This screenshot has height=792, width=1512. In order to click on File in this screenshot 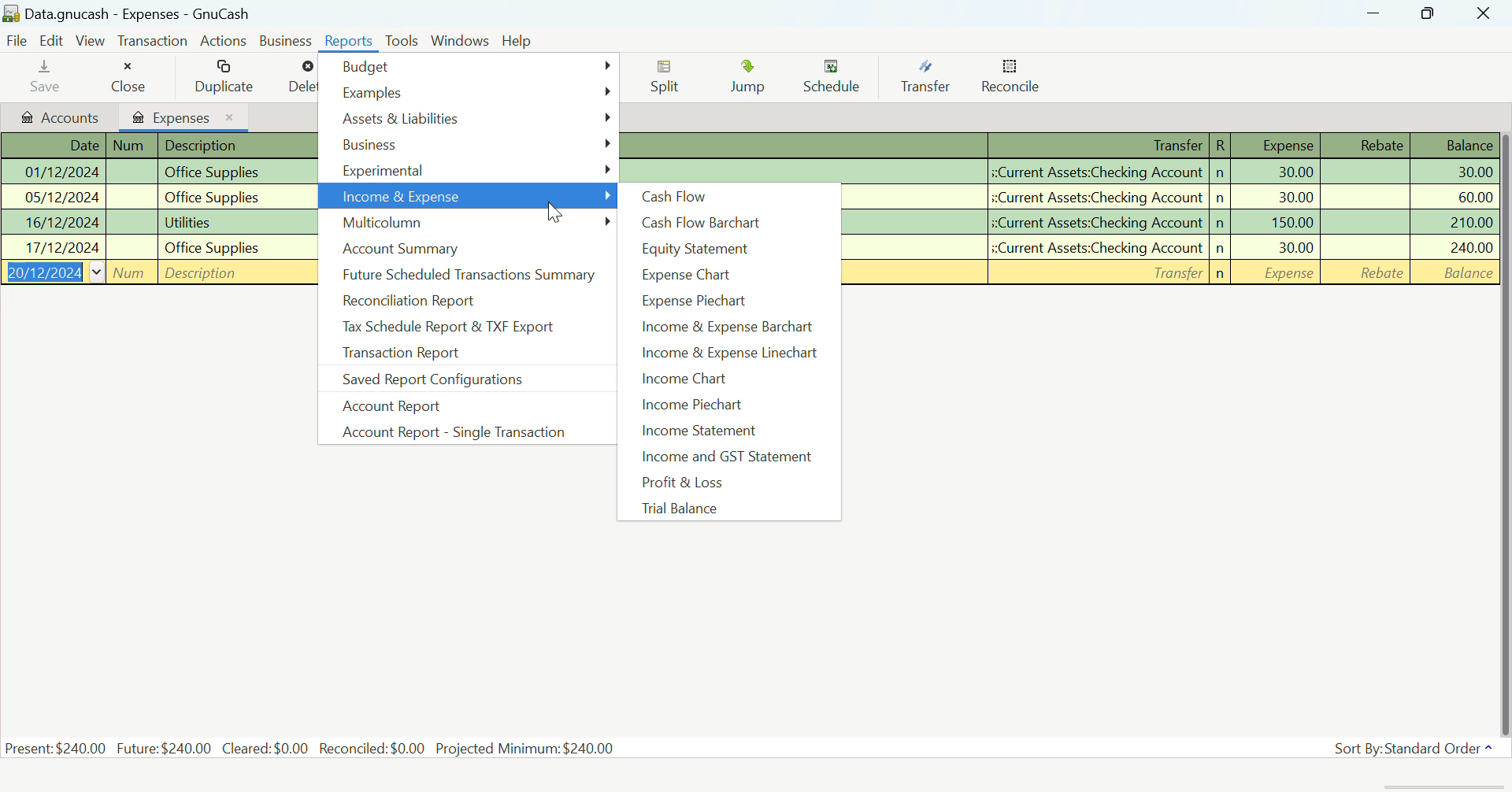, I will do `click(18, 39)`.